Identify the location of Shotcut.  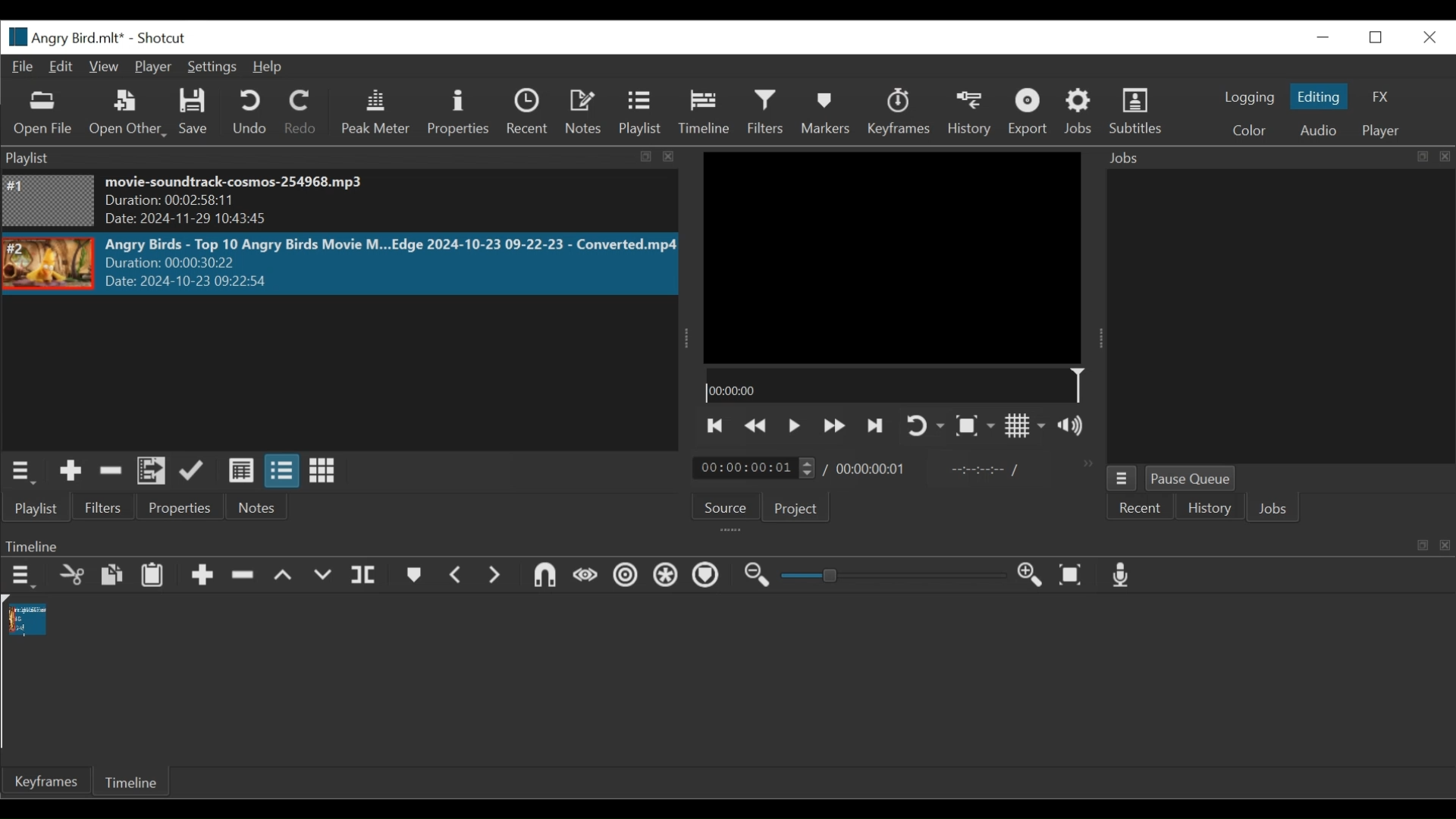
(165, 38).